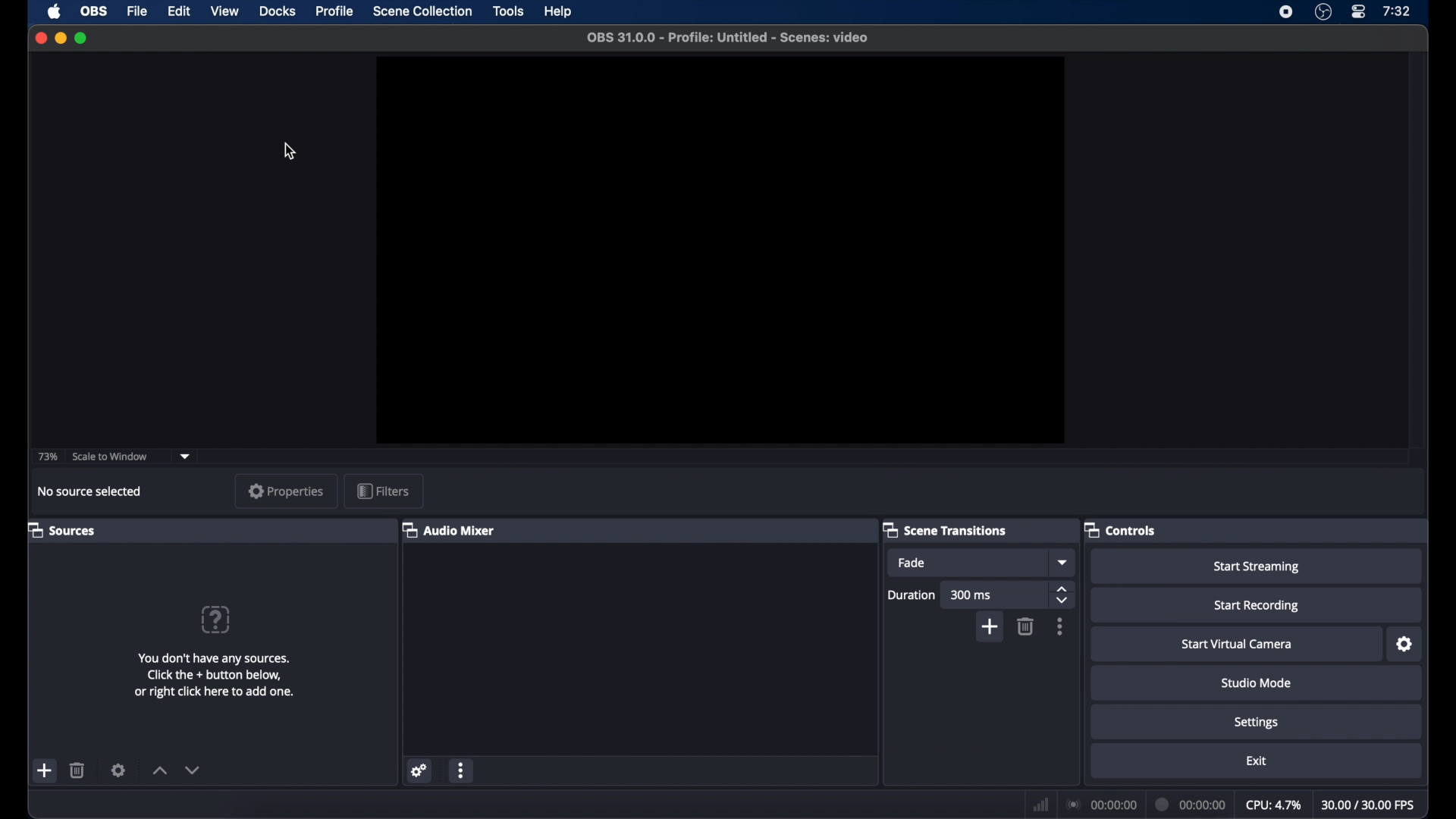 The image size is (1456, 819). I want to click on You don't have any sources.
Click the + button below,
or right click here to add one., so click(215, 675).